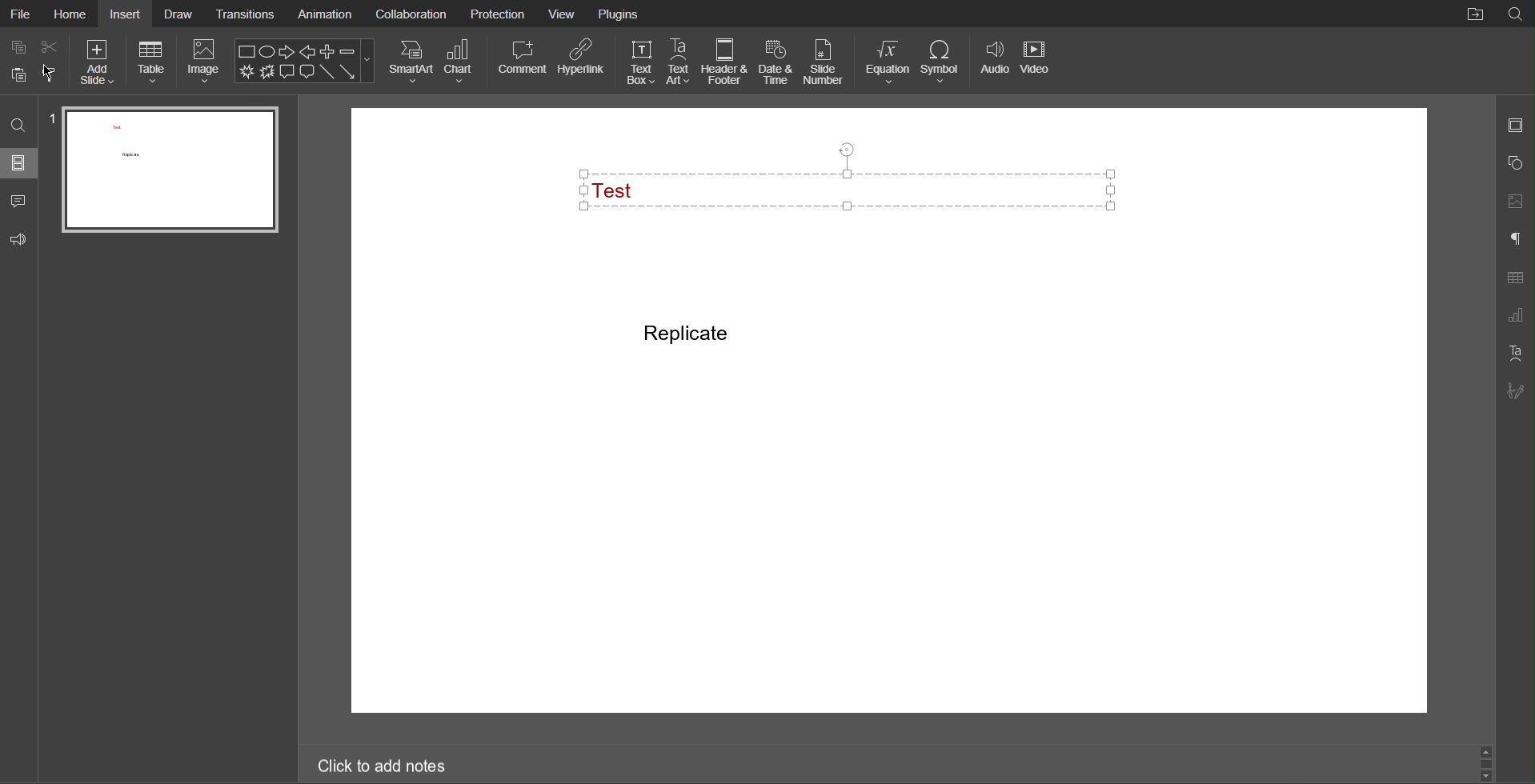 Image resolution: width=1535 pixels, height=784 pixels. Describe the element at coordinates (21, 241) in the screenshot. I see `Feedback` at that location.